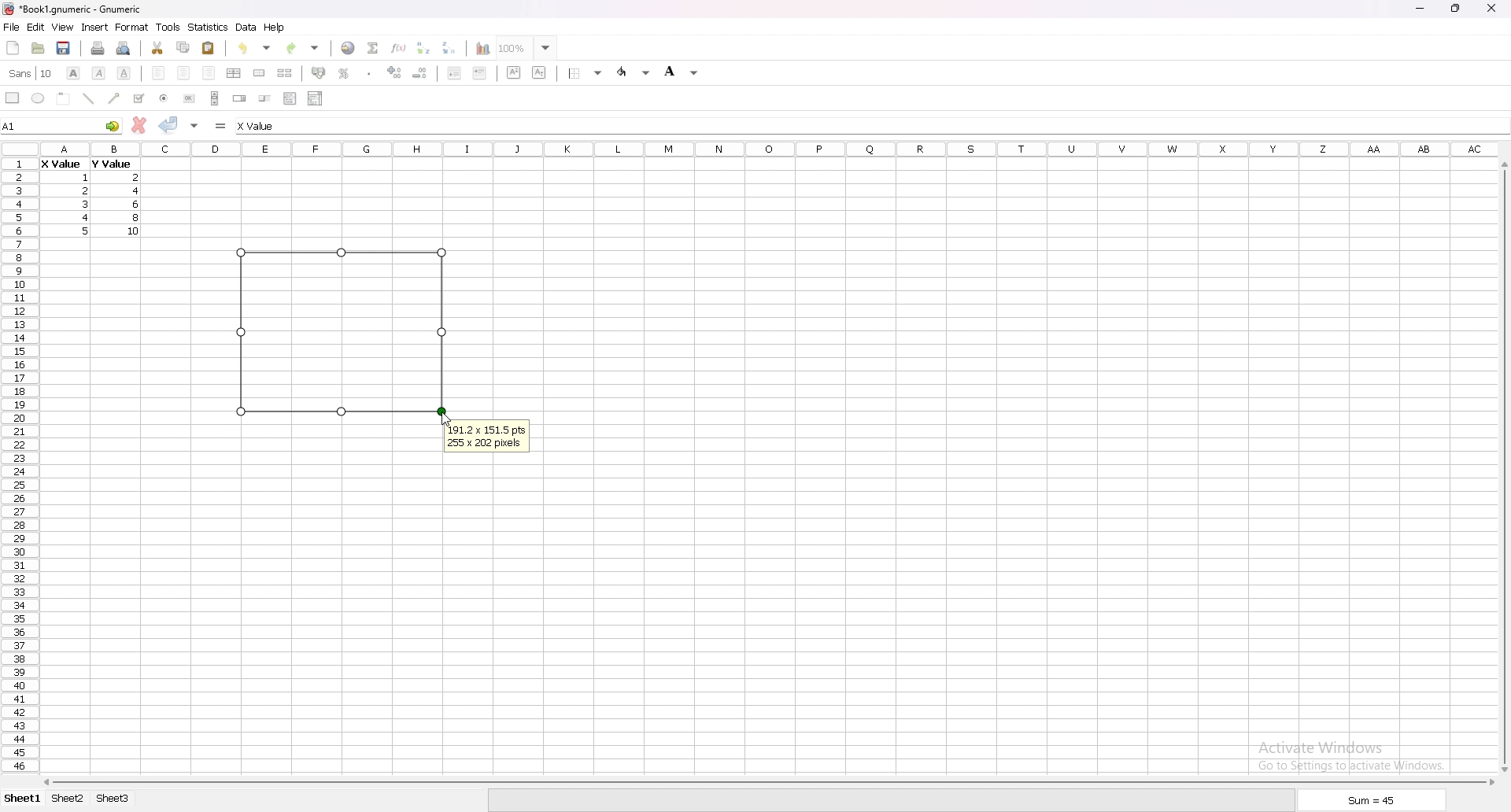  Describe the element at coordinates (526, 47) in the screenshot. I see `zoom` at that location.